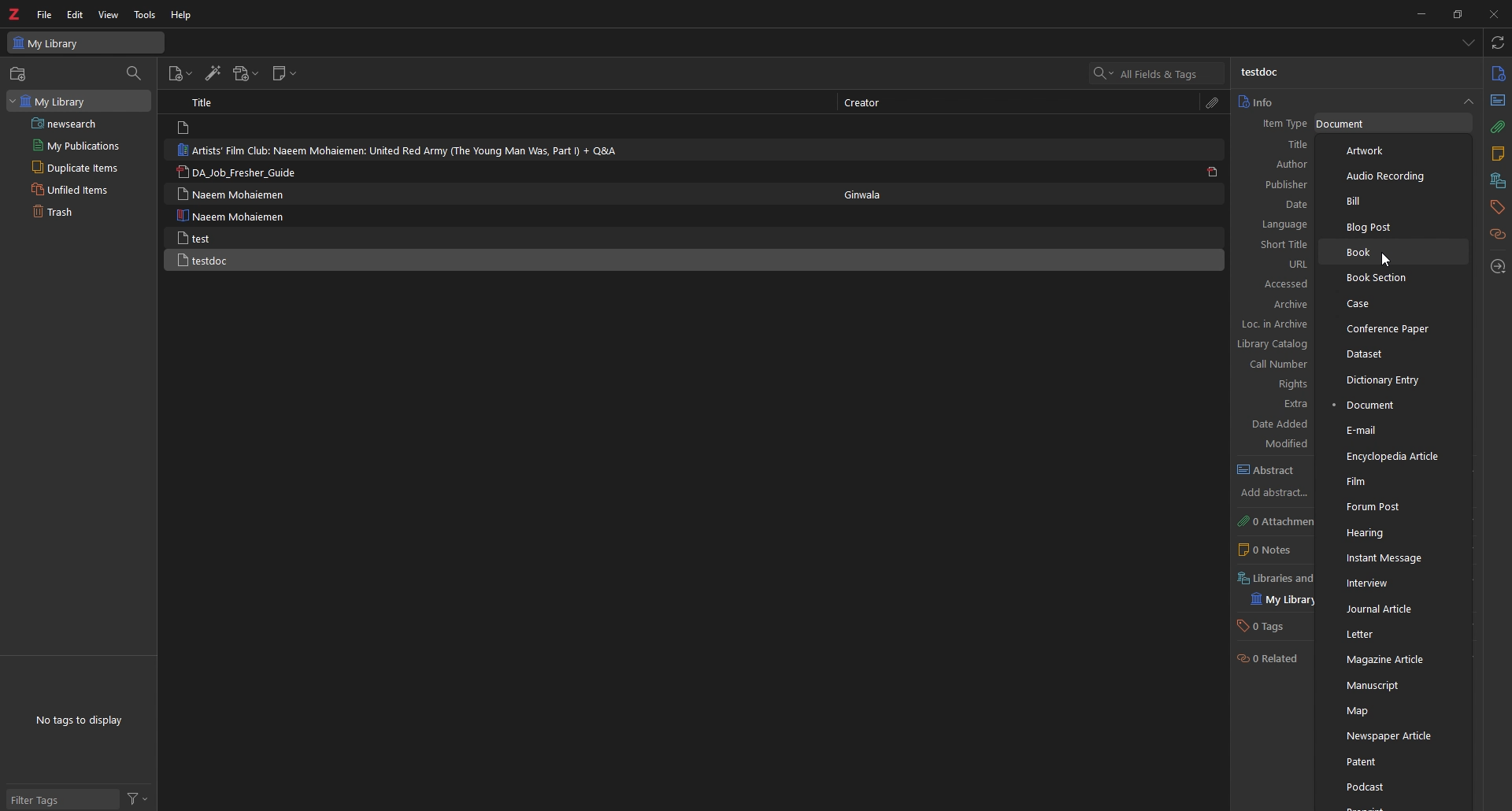 The height and width of the screenshot is (811, 1512). Describe the element at coordinates (1288, 205) in the screenshot. I see `Date` at that location.